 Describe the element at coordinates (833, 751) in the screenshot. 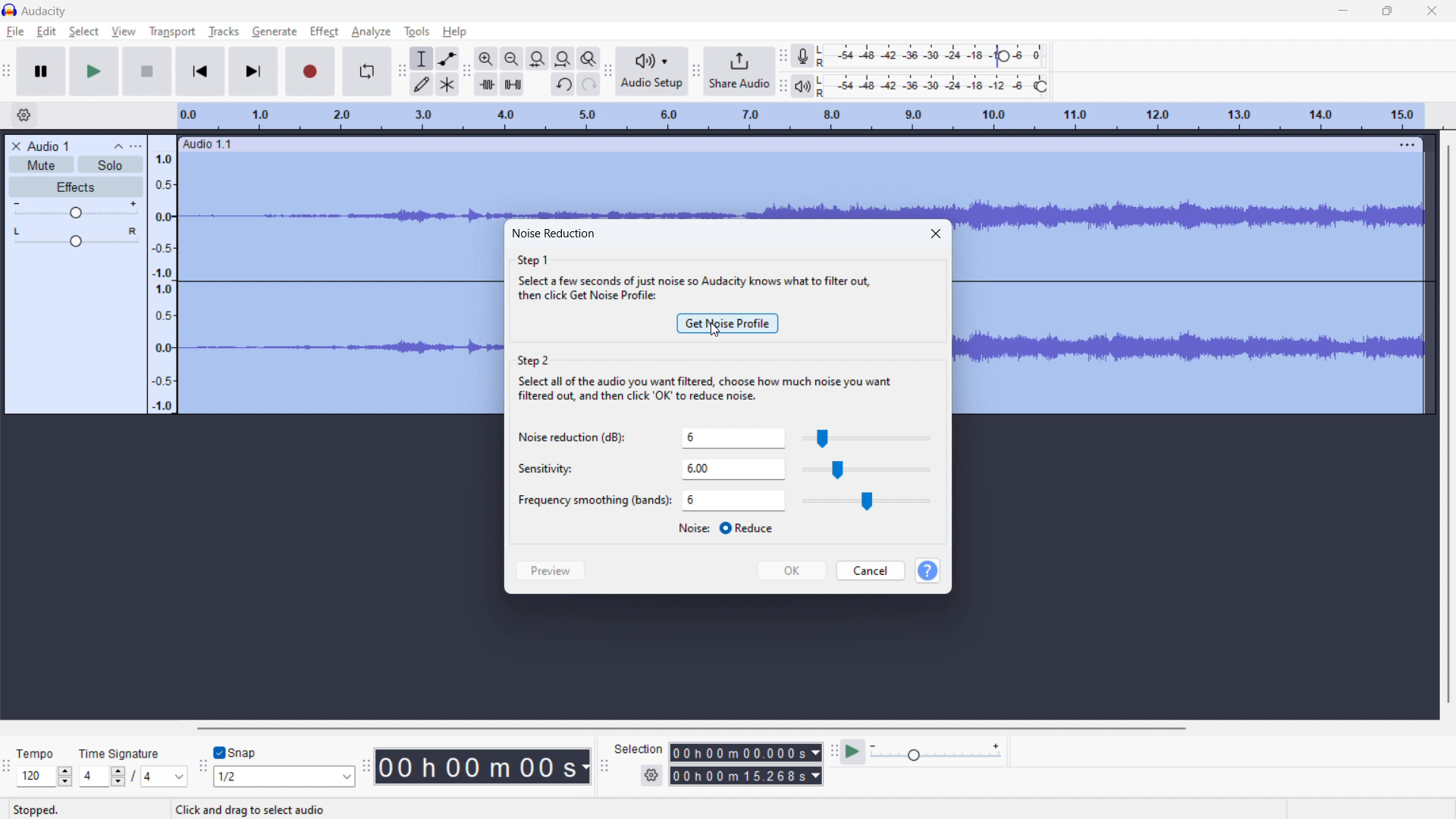

I see `play at speed toolbar` at that location.